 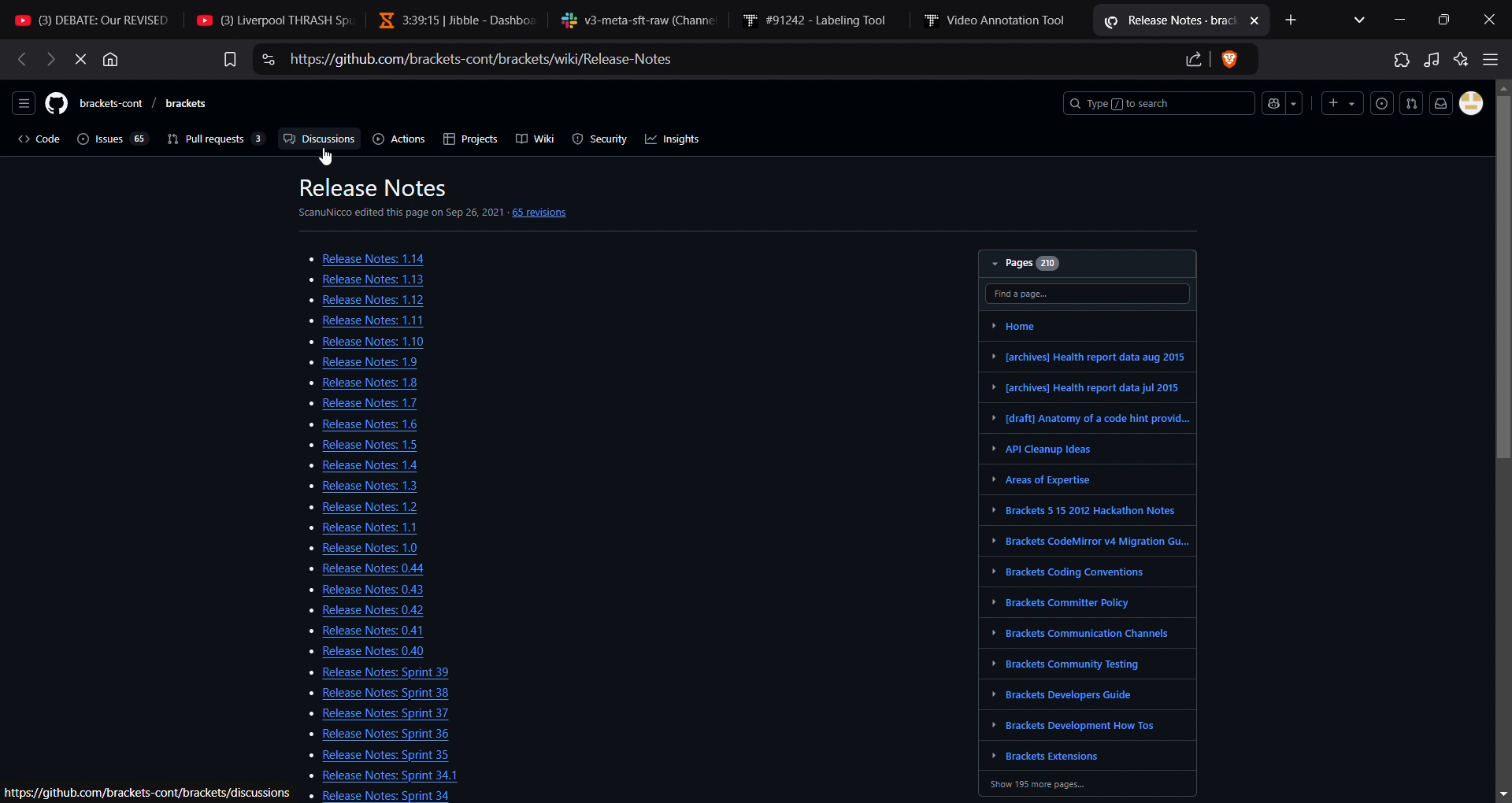 What do you see at coordinates (1057, 664) in the screenshot?
I see `» Brackets Community Testing` at bounding box center [1057, 664].